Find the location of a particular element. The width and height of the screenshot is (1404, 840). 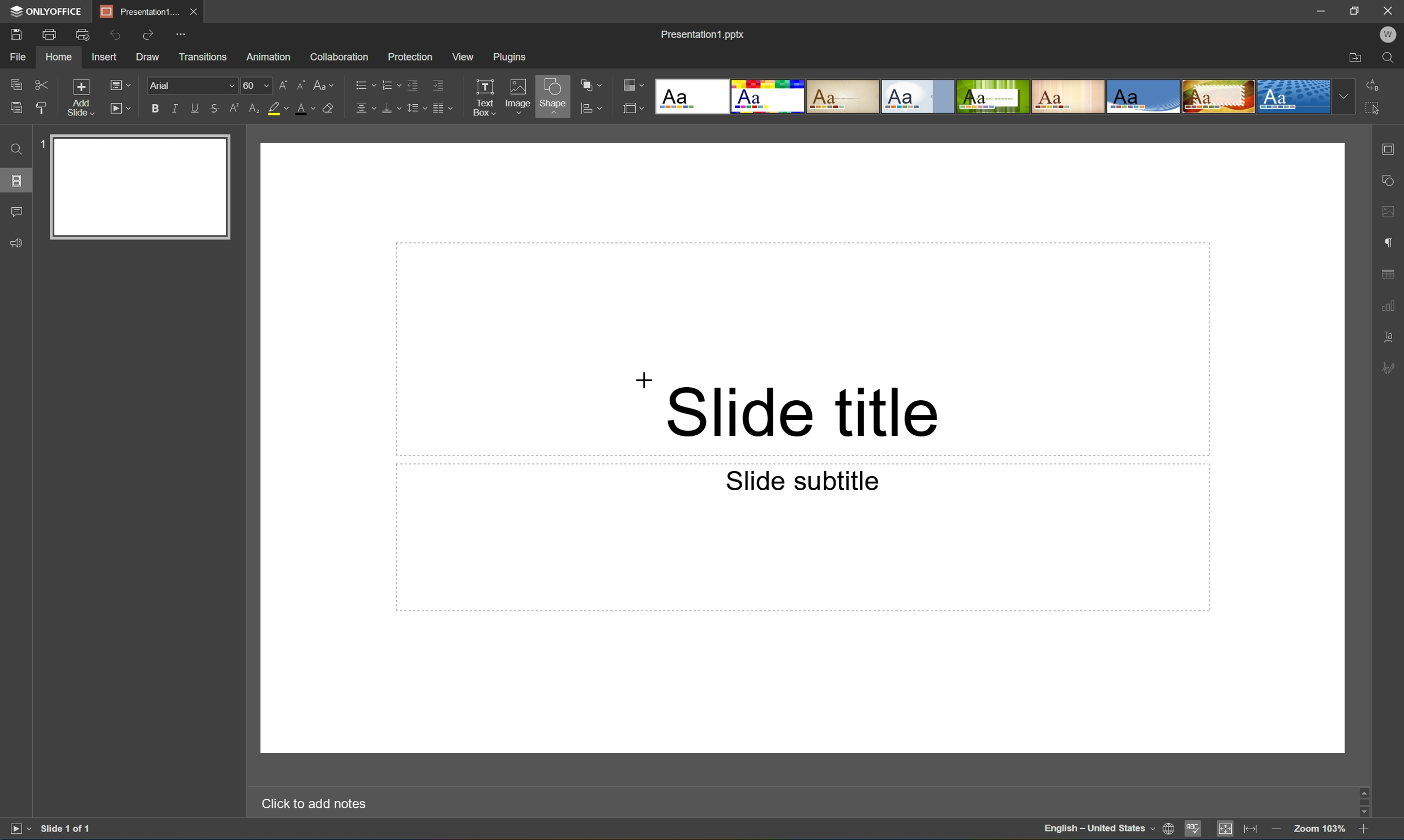

Font is located at coordinates (191, 85).